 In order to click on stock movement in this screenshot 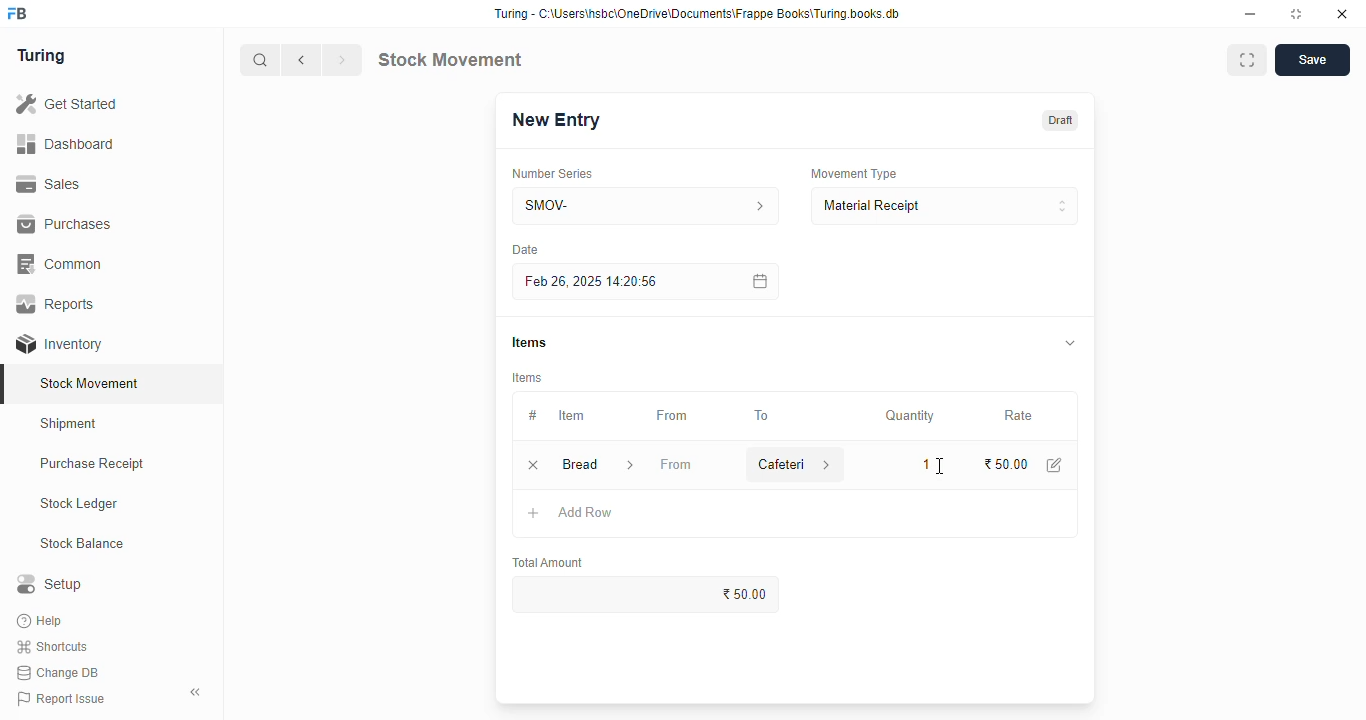, I will do `click(91, 383)`.